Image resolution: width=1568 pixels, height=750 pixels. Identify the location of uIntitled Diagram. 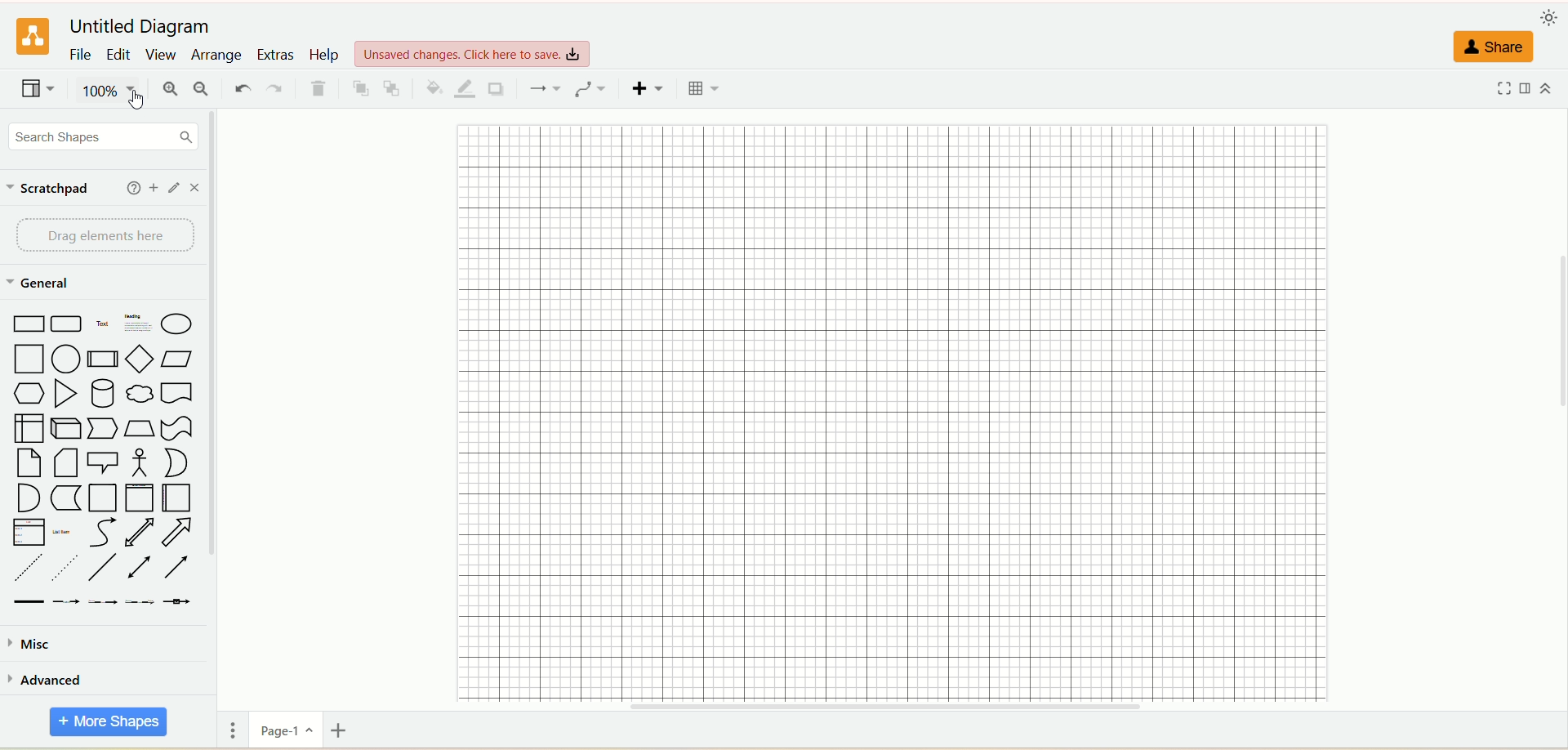
(140, 24).